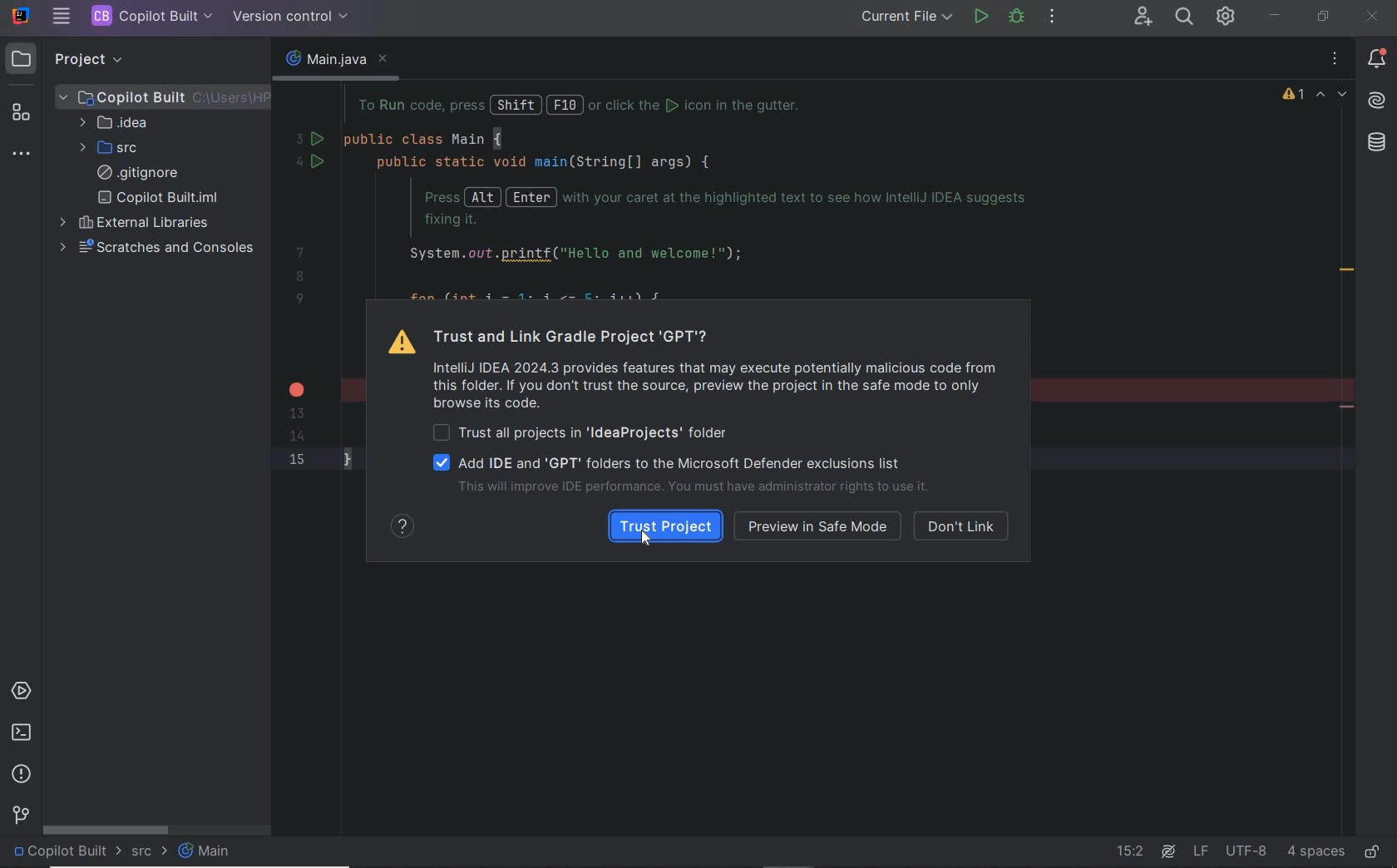  Describe the element at coordinates (298, 163) in the screenshot. I see `4` at that location.